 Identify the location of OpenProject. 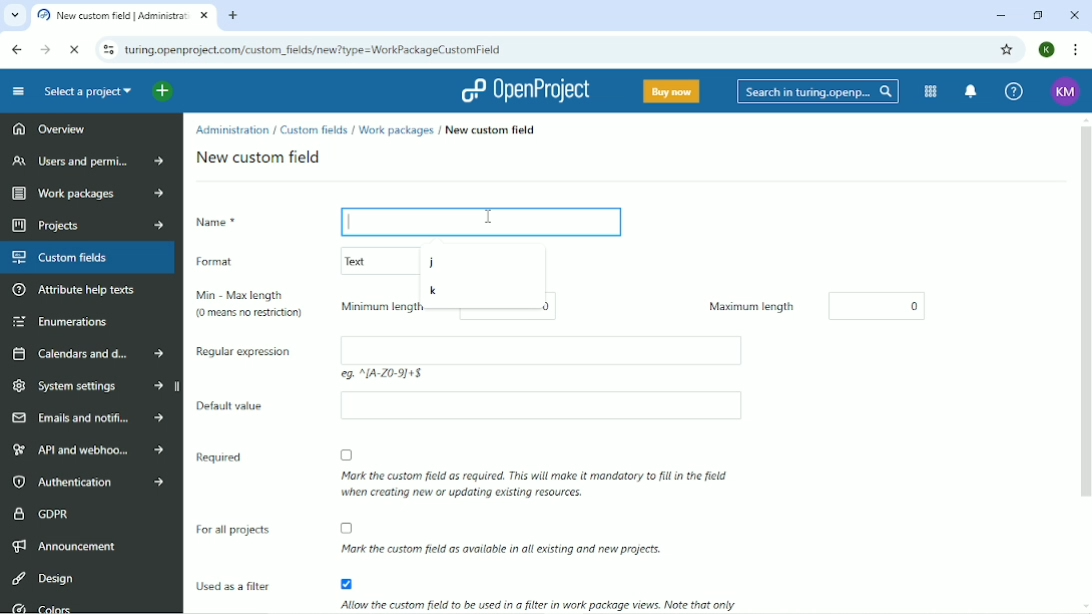
(530, 91).